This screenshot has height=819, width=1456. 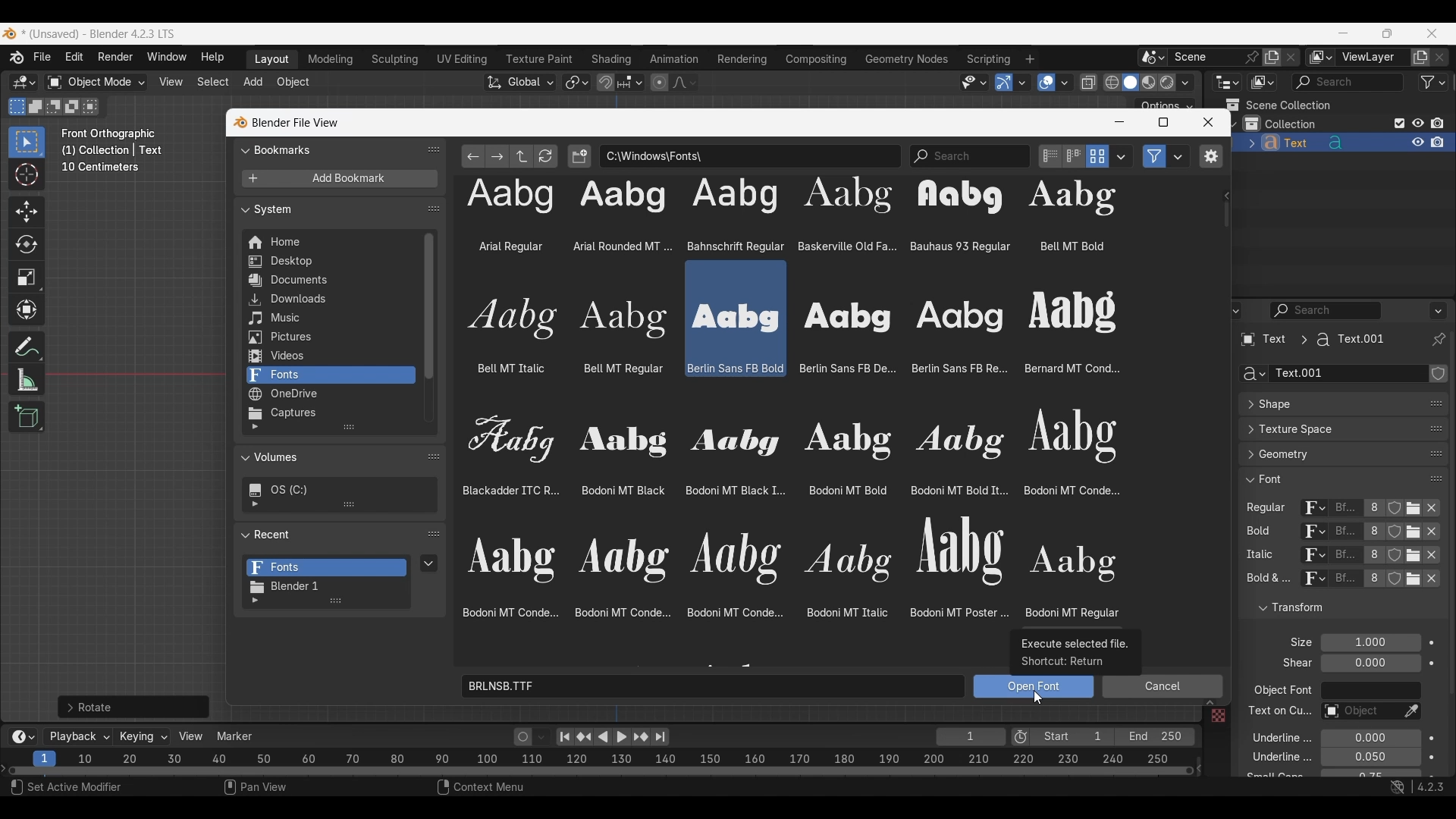 What do you see at coordinates (1210, 703) in the screenshot?
I see `Expand View/Select` at bounding box center [1210, 703].